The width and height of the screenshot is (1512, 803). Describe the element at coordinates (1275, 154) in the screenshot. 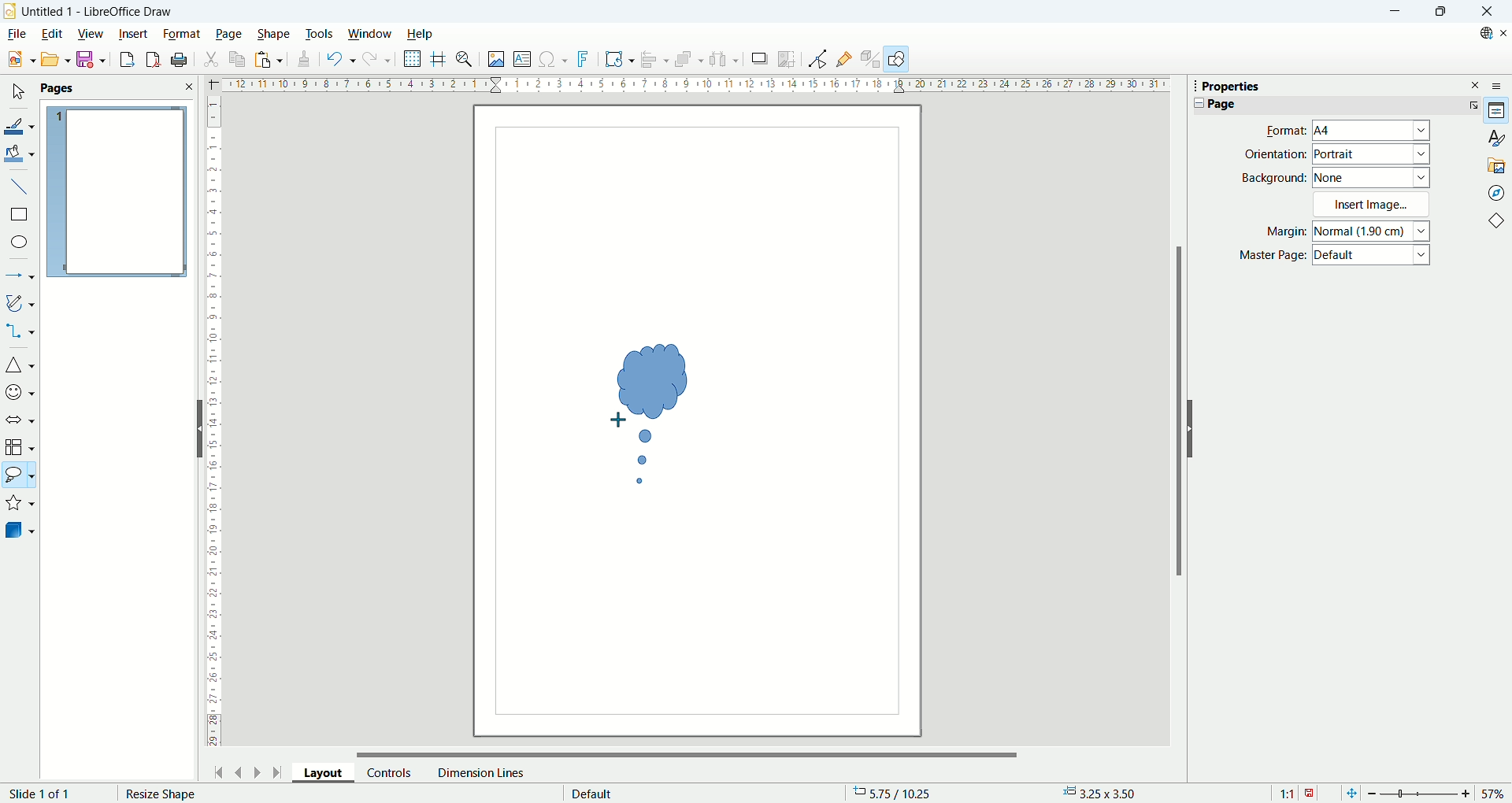

I see `Orientaion` at that location.